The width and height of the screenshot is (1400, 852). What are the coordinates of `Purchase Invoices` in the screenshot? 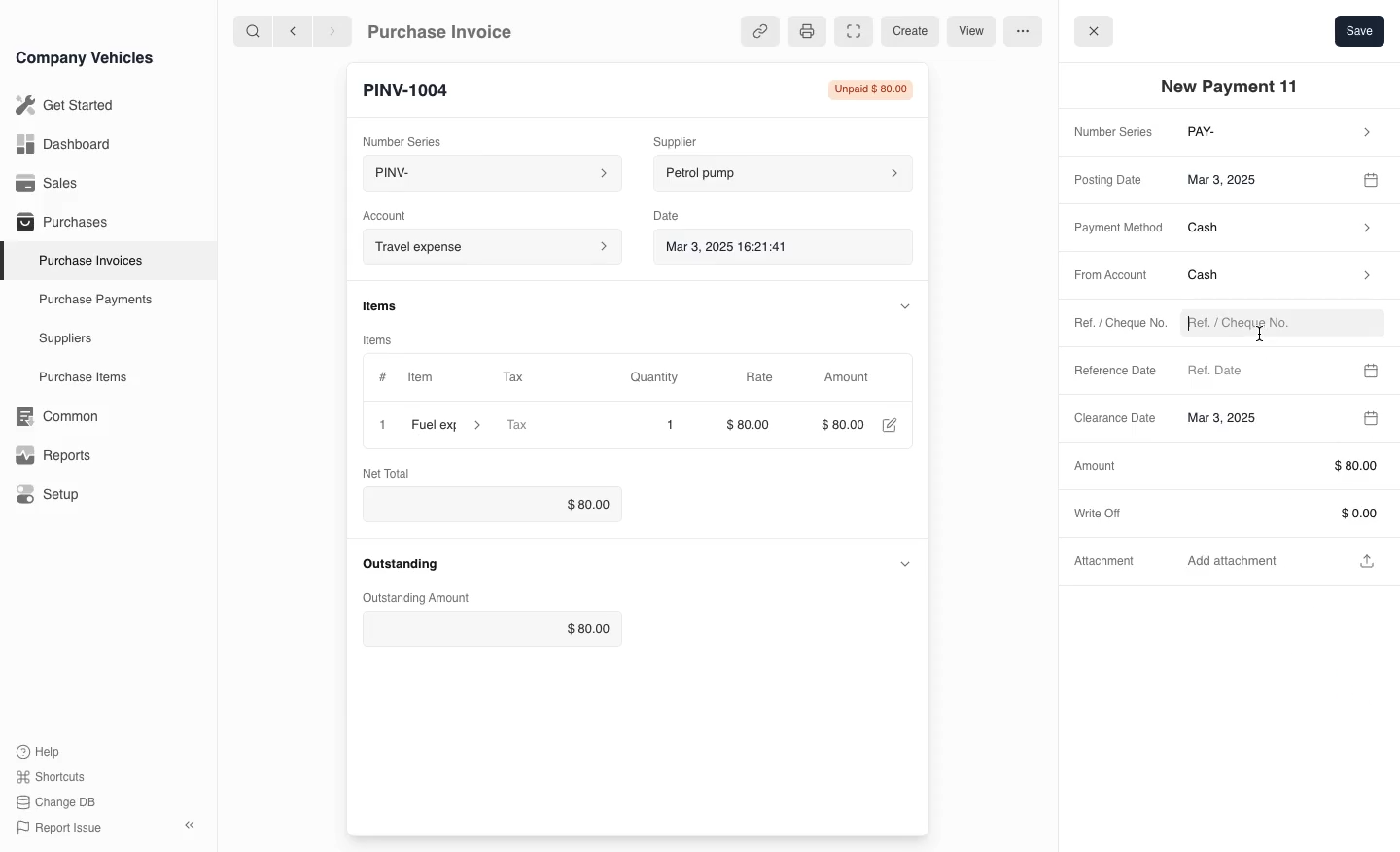 It's located at (87, 260).